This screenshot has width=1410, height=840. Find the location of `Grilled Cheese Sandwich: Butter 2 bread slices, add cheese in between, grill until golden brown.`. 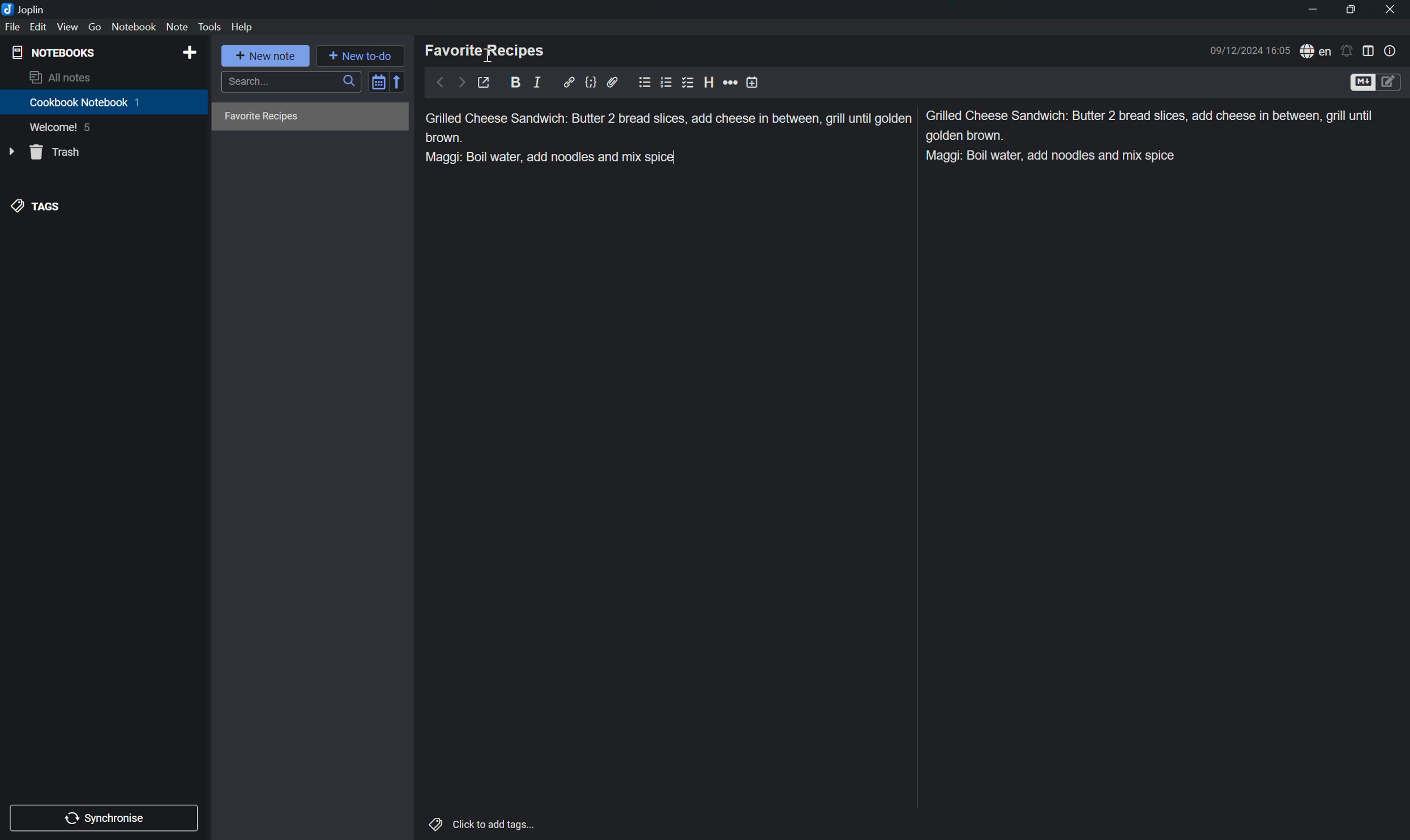

Grilled Cheese Sandwich: Butter 2 bread slices, add cheese in between, grill until golden brown. is located at coordinates (1150, 126).